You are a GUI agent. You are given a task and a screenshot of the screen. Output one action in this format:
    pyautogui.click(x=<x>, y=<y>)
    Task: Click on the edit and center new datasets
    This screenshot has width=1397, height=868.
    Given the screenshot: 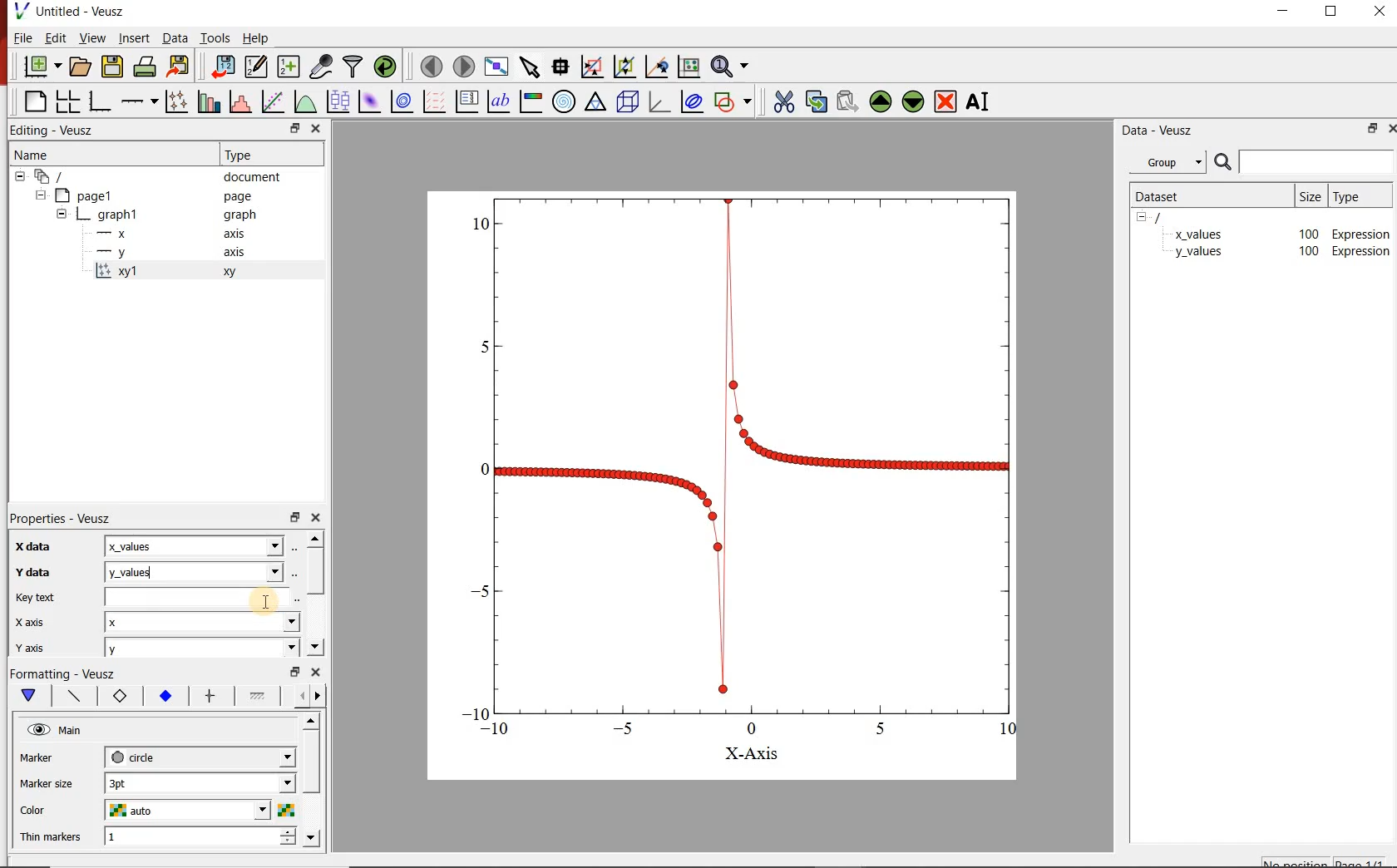 What is the action you would take?
    pyautogui.click(x=258, y=67)
    